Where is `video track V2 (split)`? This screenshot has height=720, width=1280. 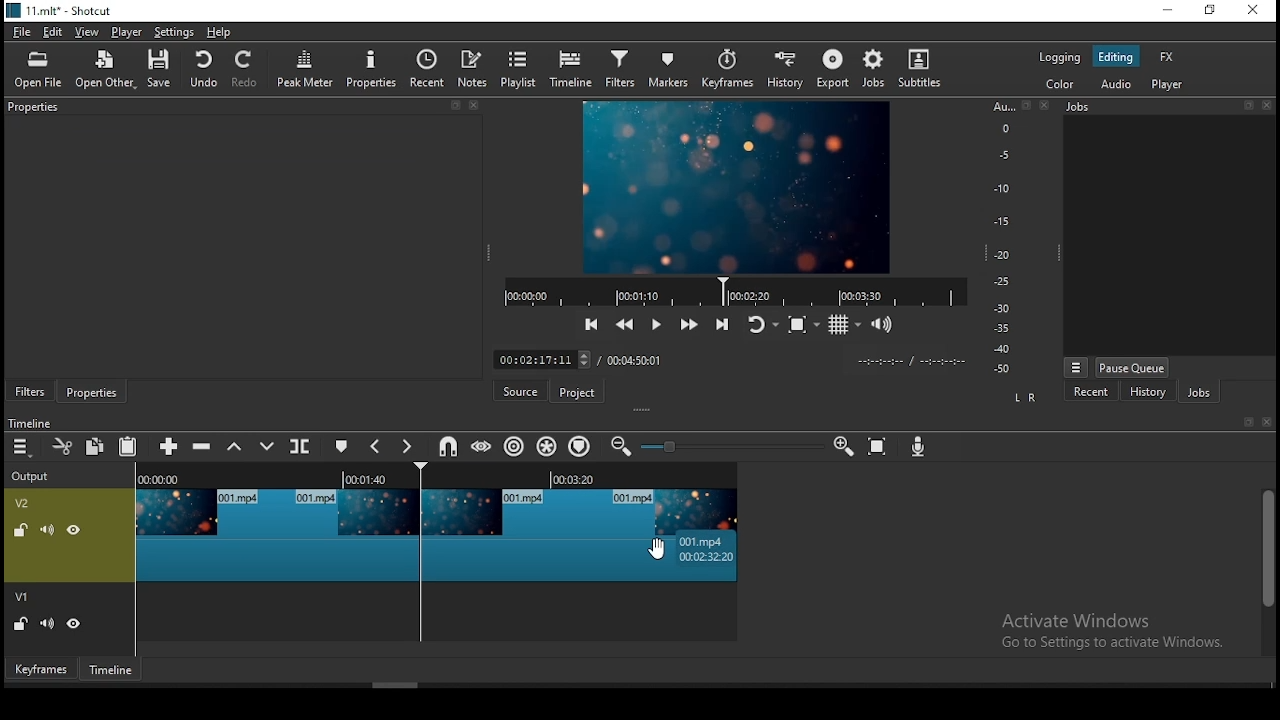
video track V2 (split) is located at coordinates (584, 533).